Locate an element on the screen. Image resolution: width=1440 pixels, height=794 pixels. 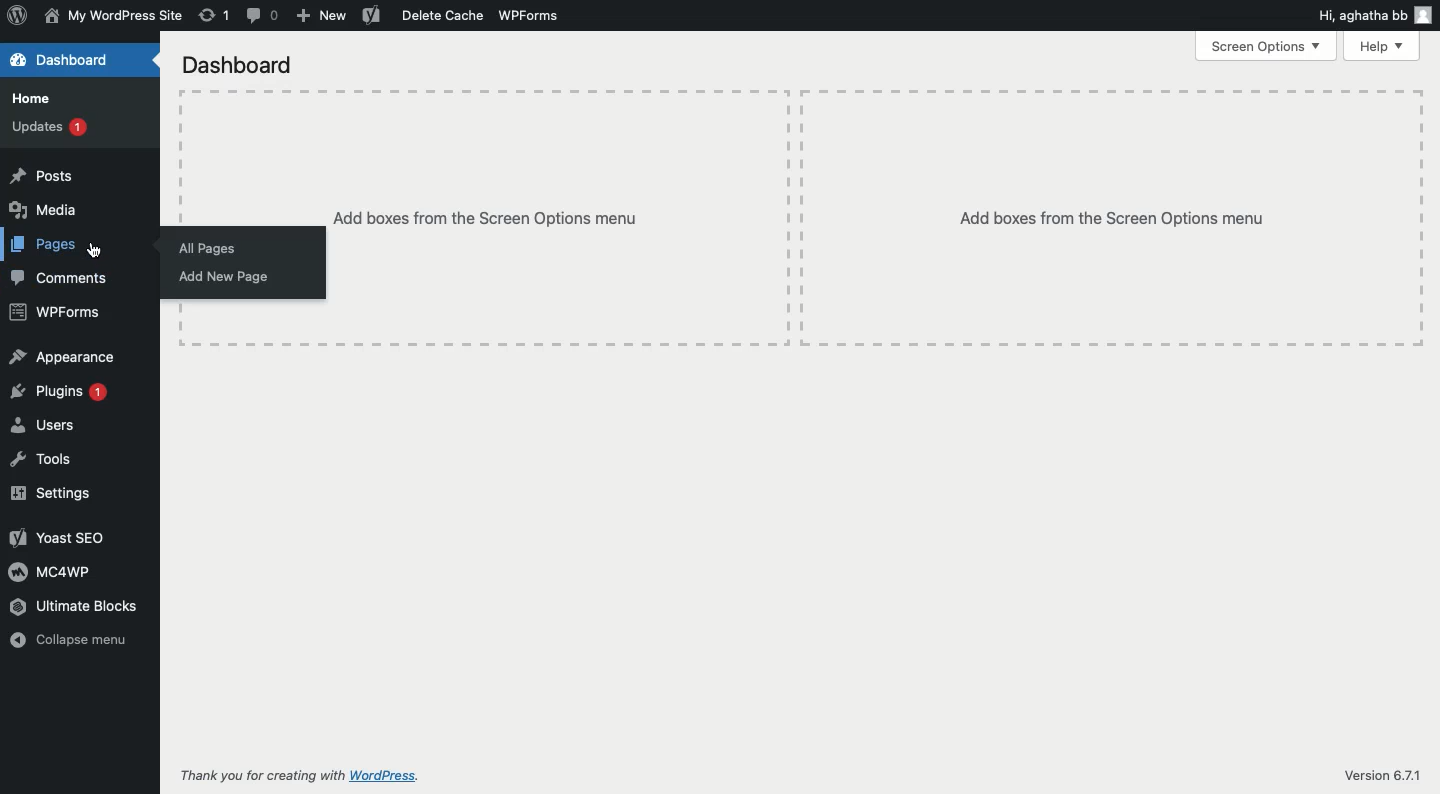
Help is located at coordinates (1386, 46).